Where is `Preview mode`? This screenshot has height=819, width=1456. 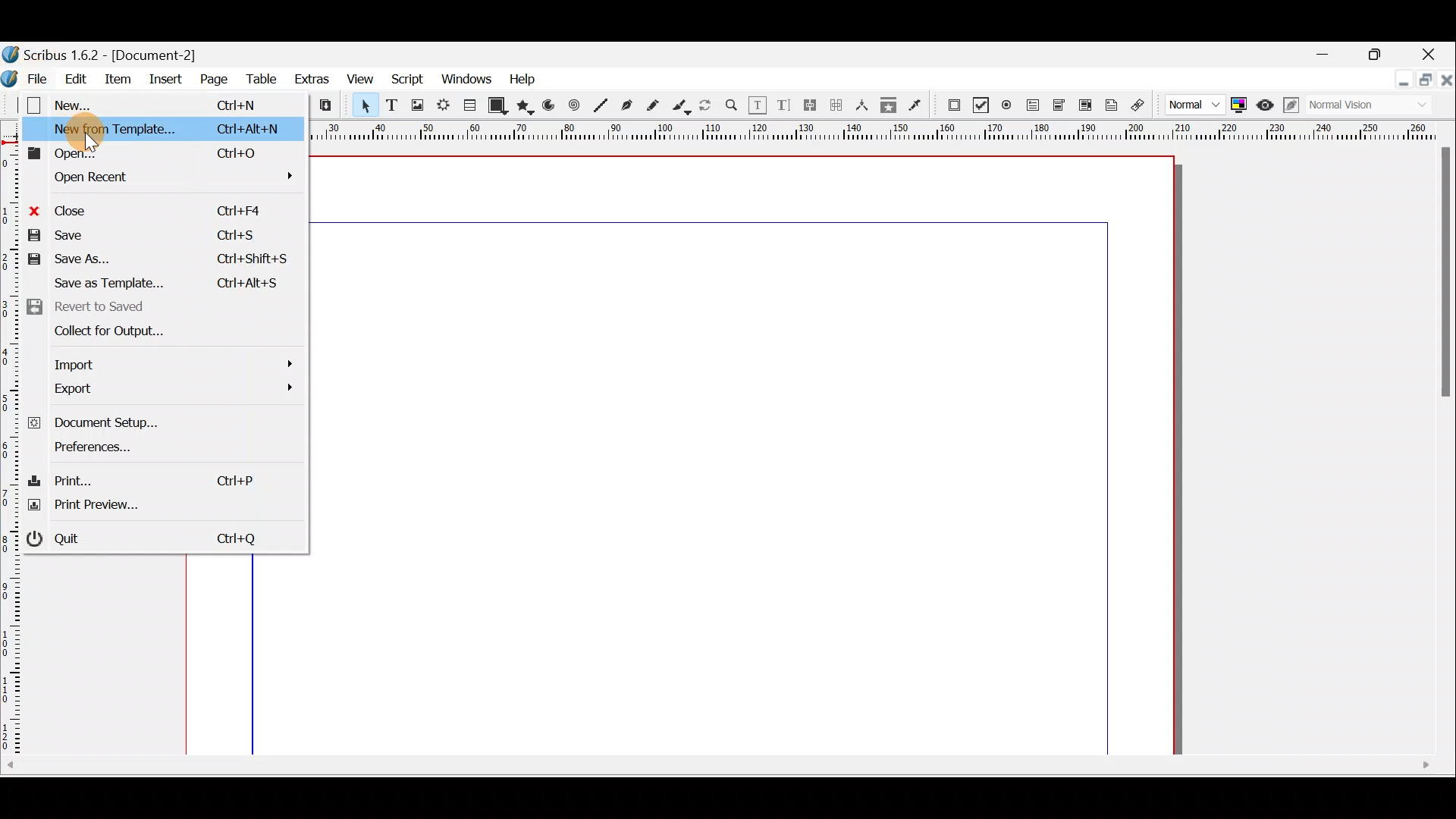
Preview mode is located at coordinates (1266, 106).